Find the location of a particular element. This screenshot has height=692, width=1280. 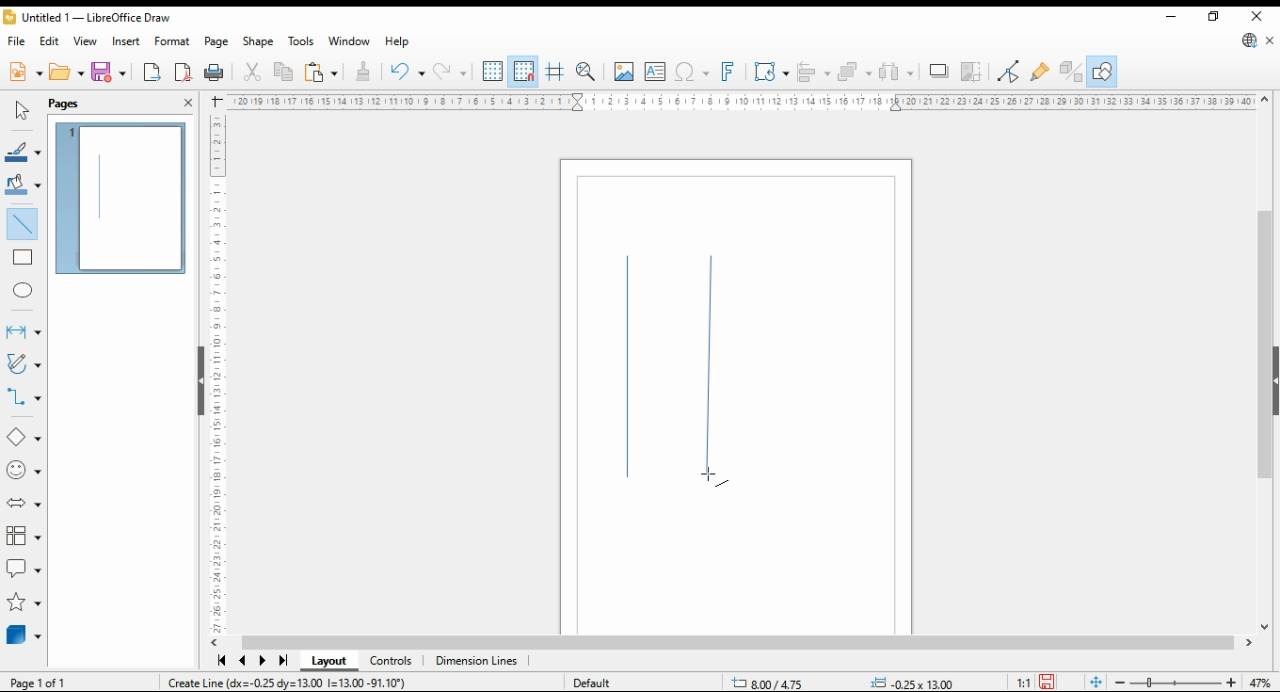

shadows is located at coordinates (938, 72).